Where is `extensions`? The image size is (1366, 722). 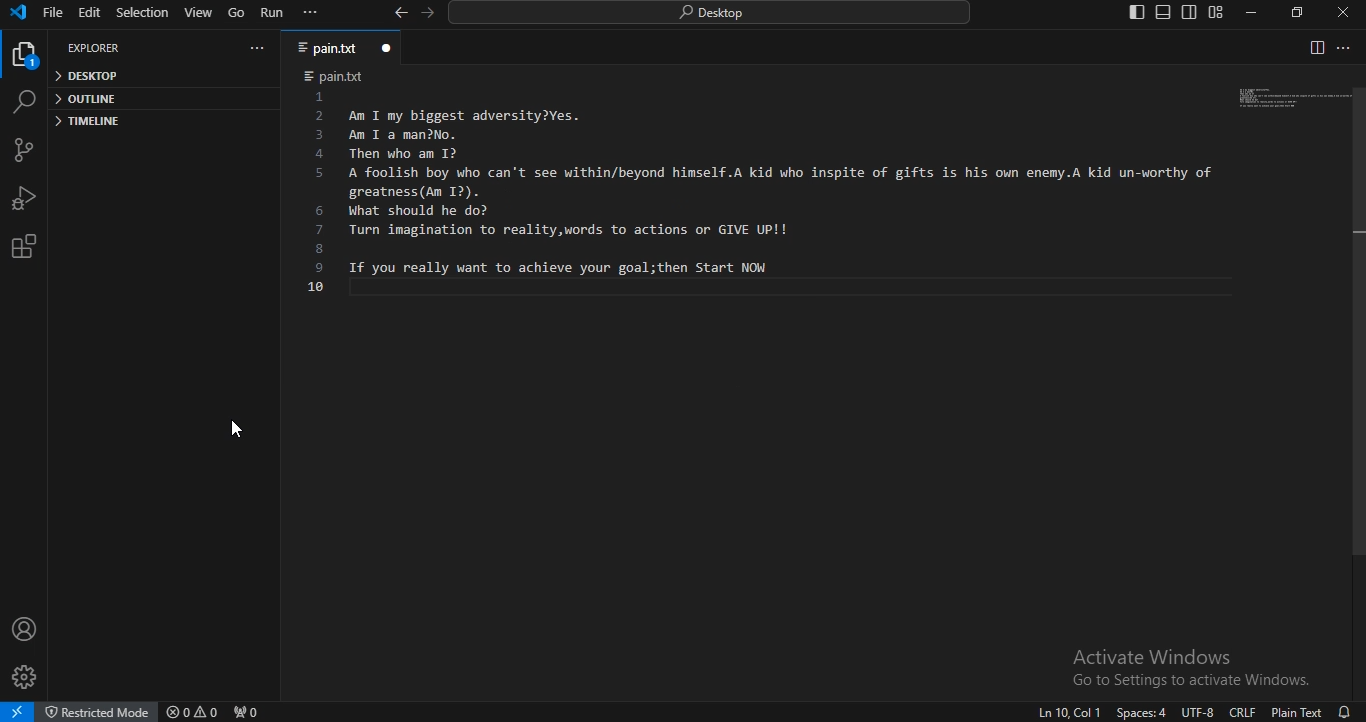
extensions is located at coordinates (20, 249).